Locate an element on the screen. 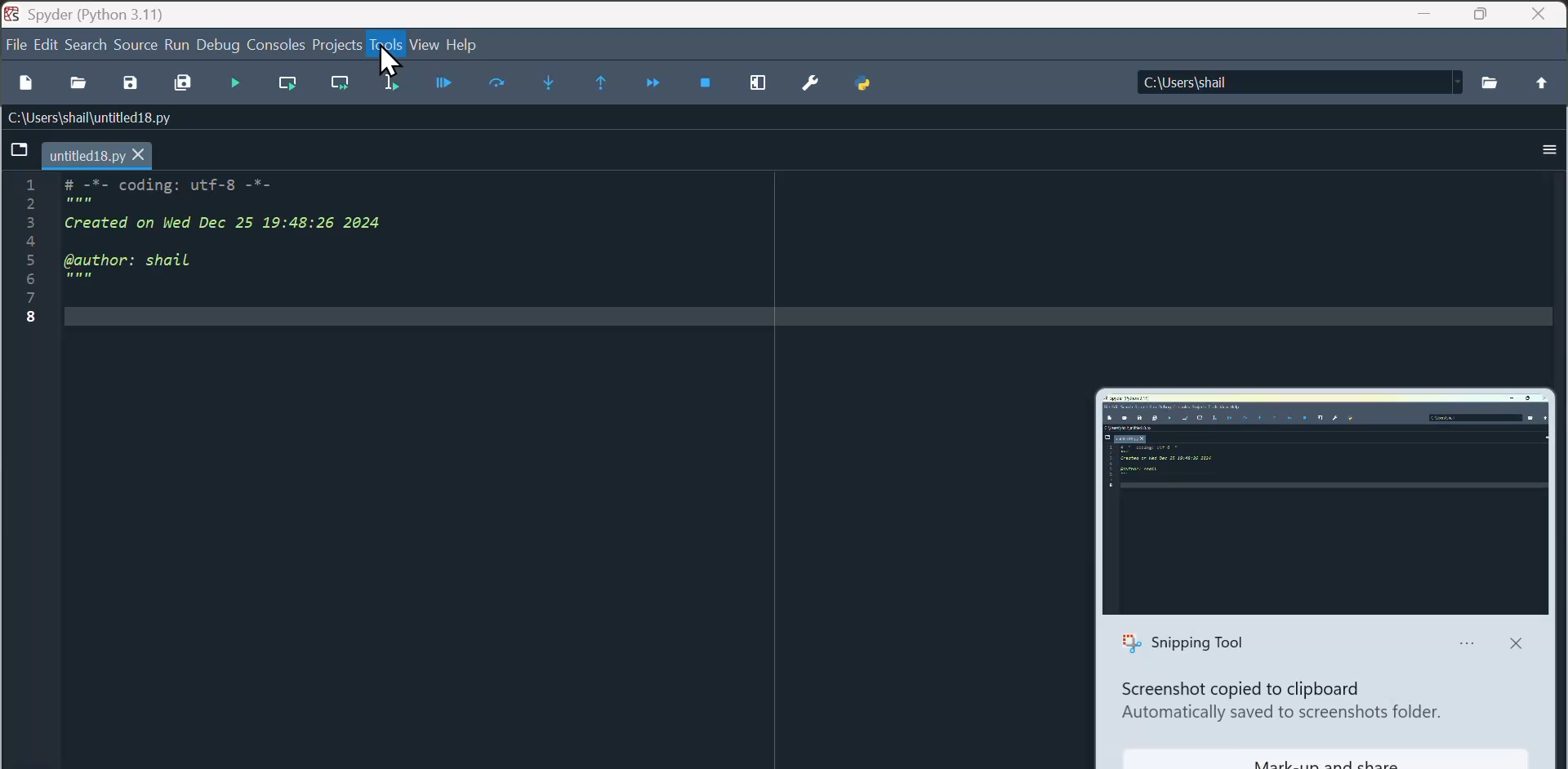  view is located at coordinates (421, 47).